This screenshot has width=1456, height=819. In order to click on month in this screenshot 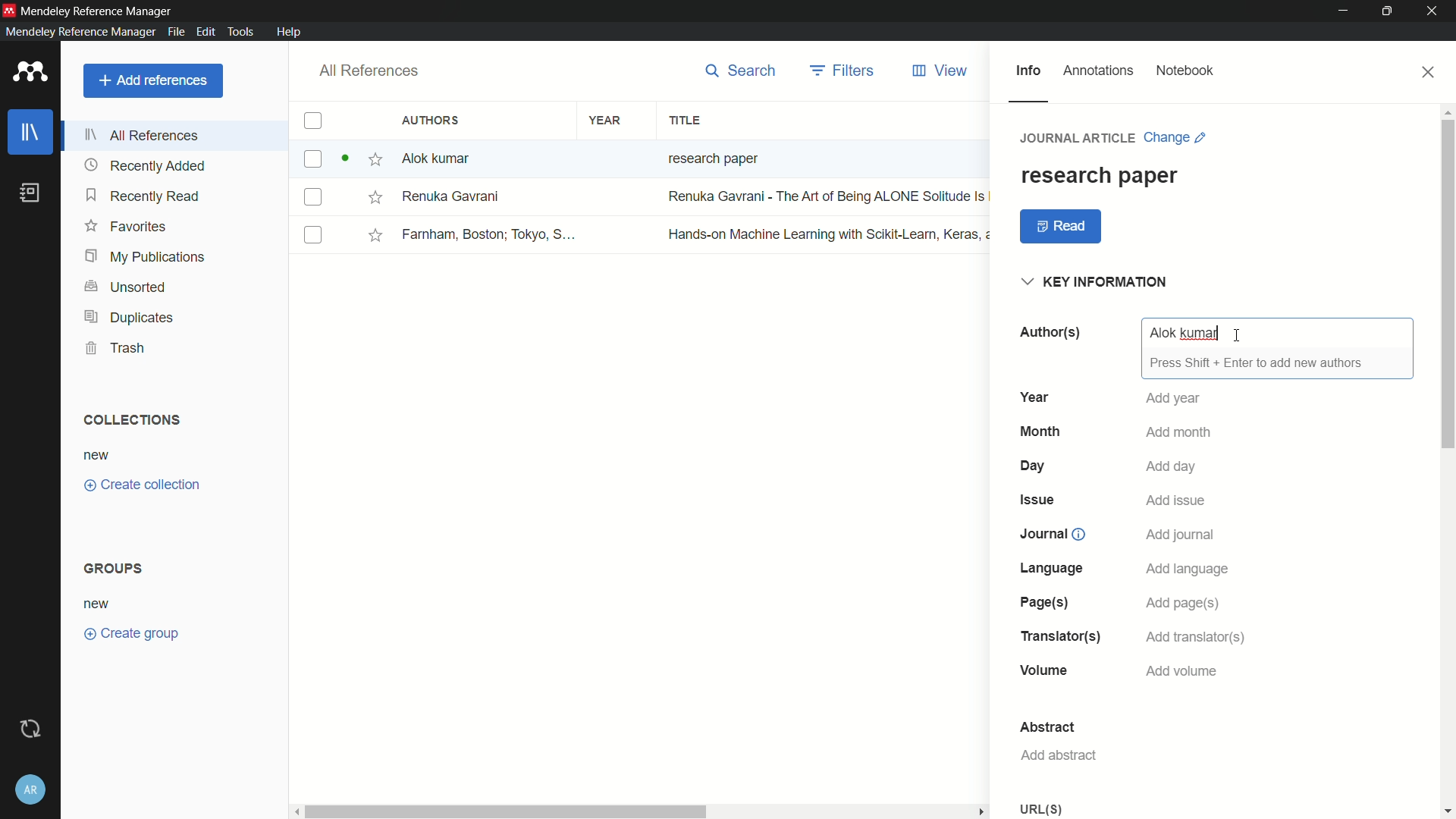, I will do `click(1040, 431)`.